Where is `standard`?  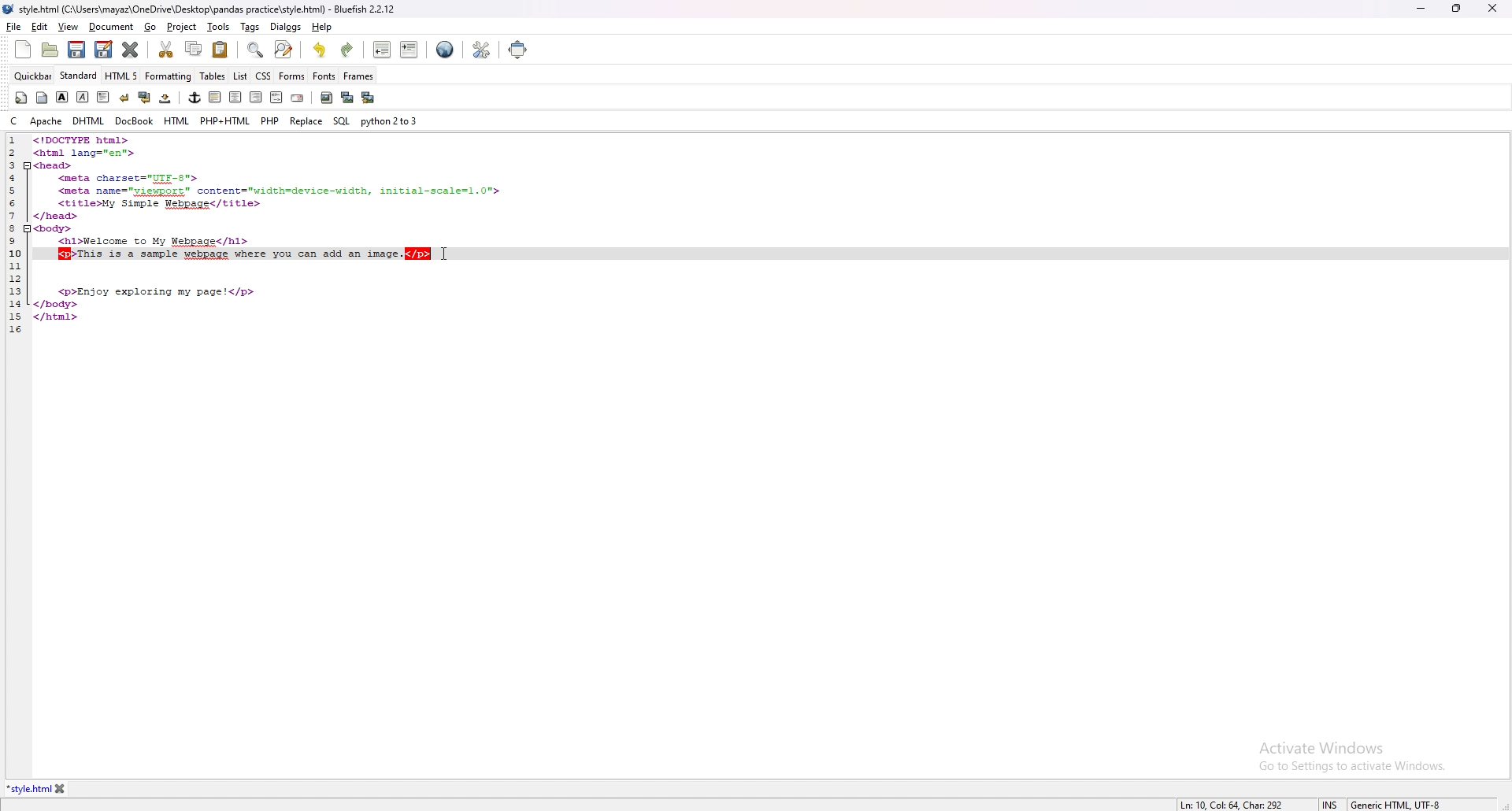
standard is located at coordinates (79, 76).